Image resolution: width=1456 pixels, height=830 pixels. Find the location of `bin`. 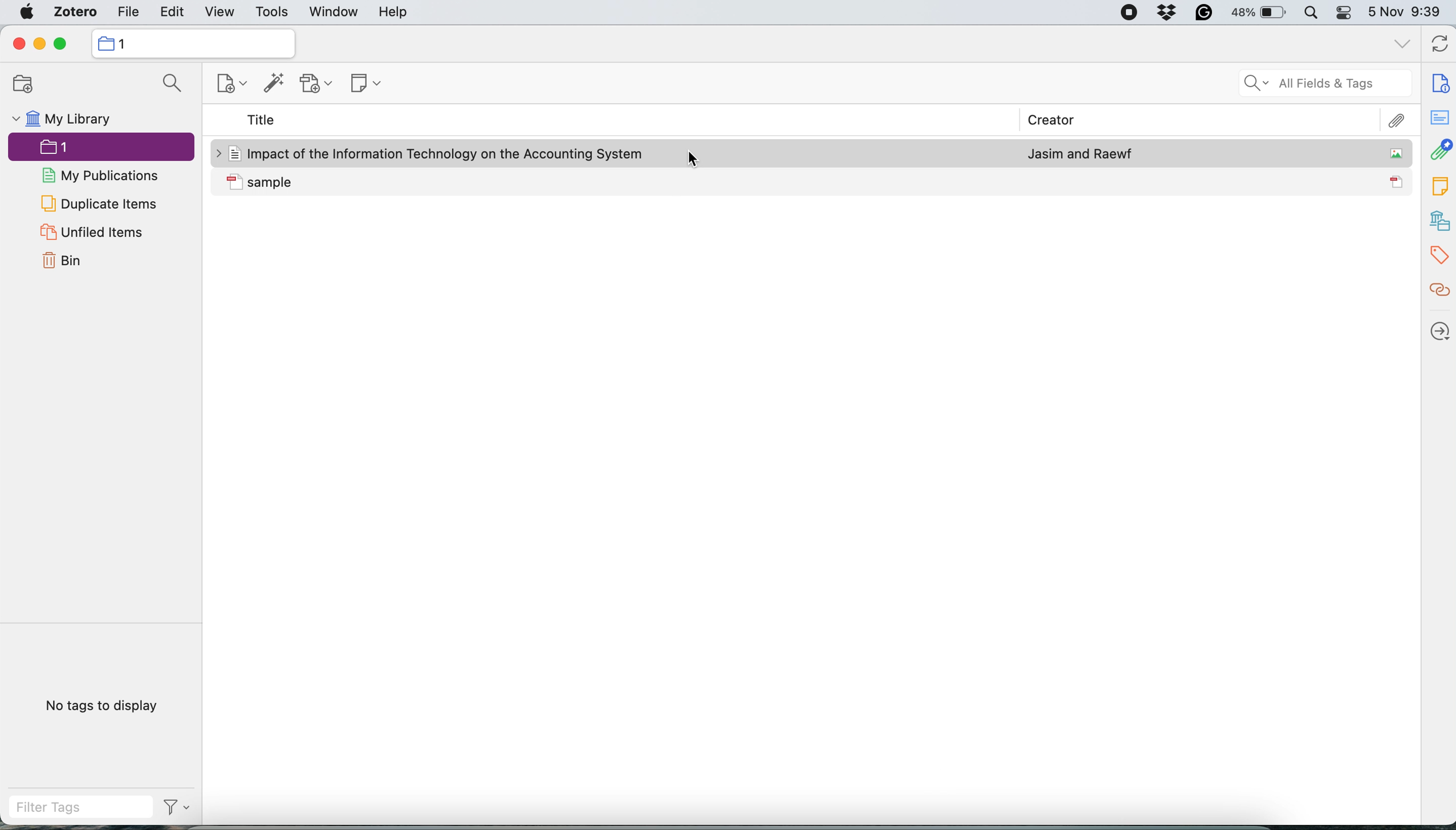

bin is located at coordinates (63, 261).